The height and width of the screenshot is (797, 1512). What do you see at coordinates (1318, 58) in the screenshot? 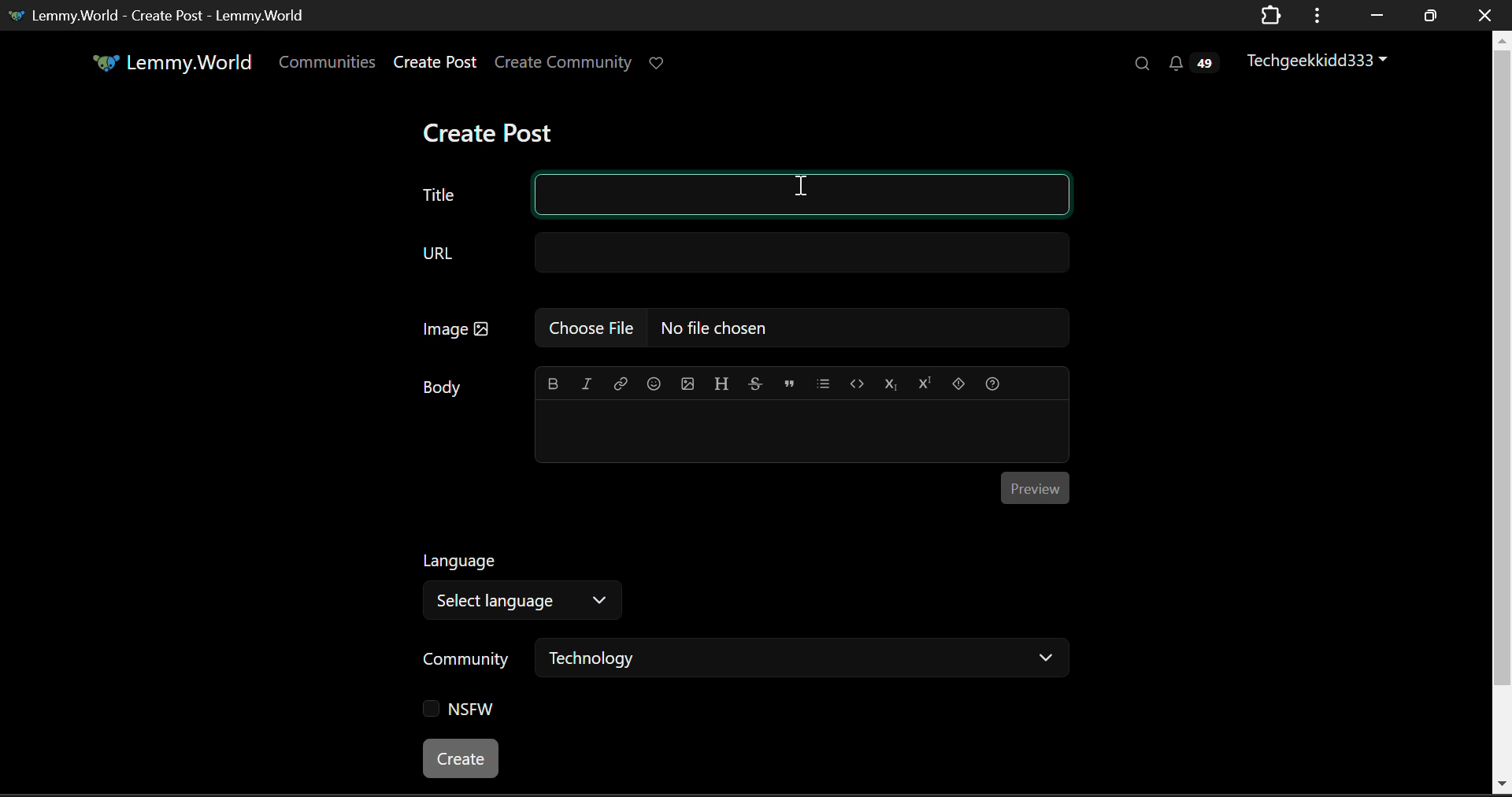
I see `Techgeekkidd333` at bounding box center [1318, 58].